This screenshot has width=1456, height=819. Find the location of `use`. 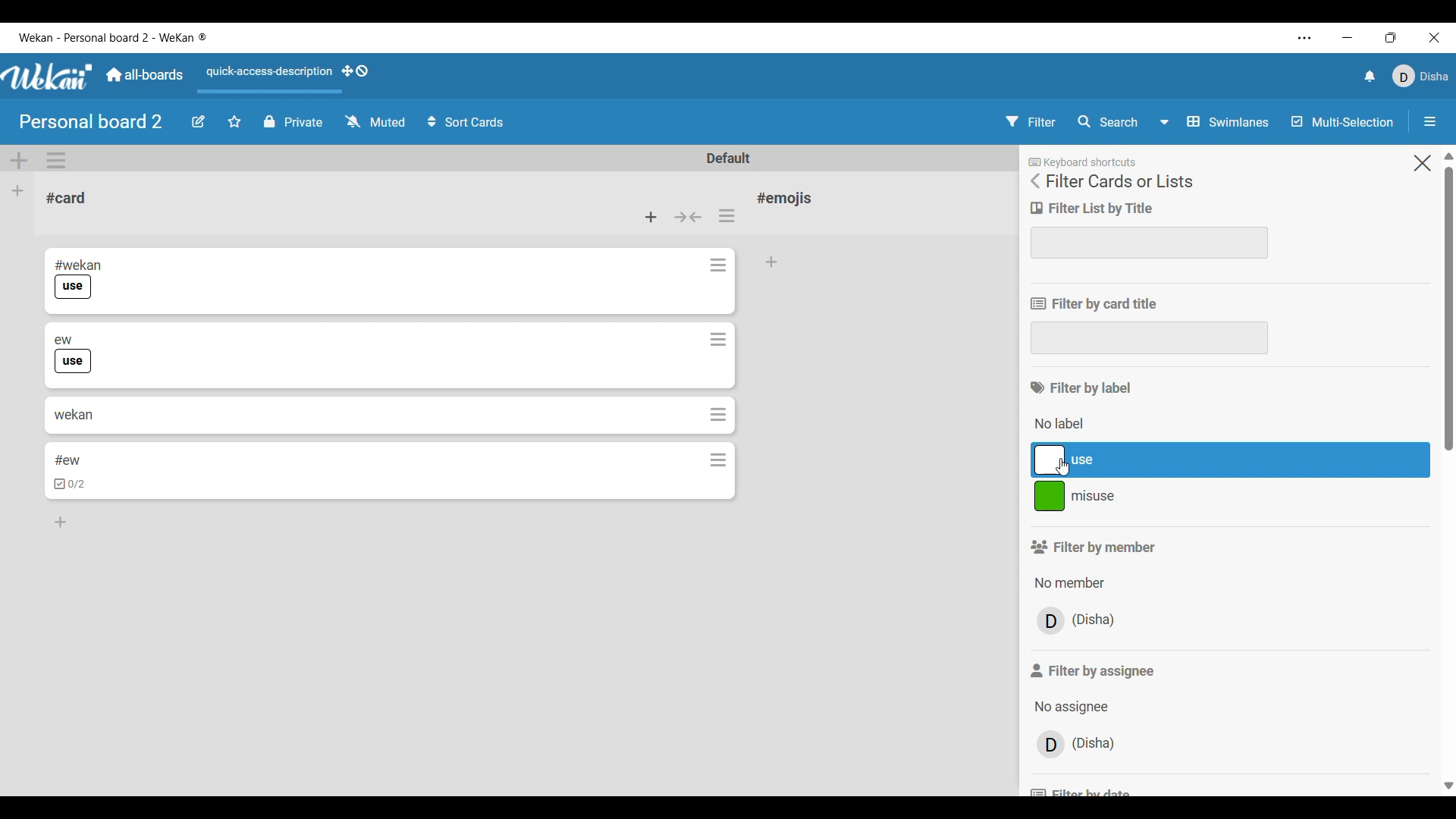

use is located at coordinates (1164, 460).